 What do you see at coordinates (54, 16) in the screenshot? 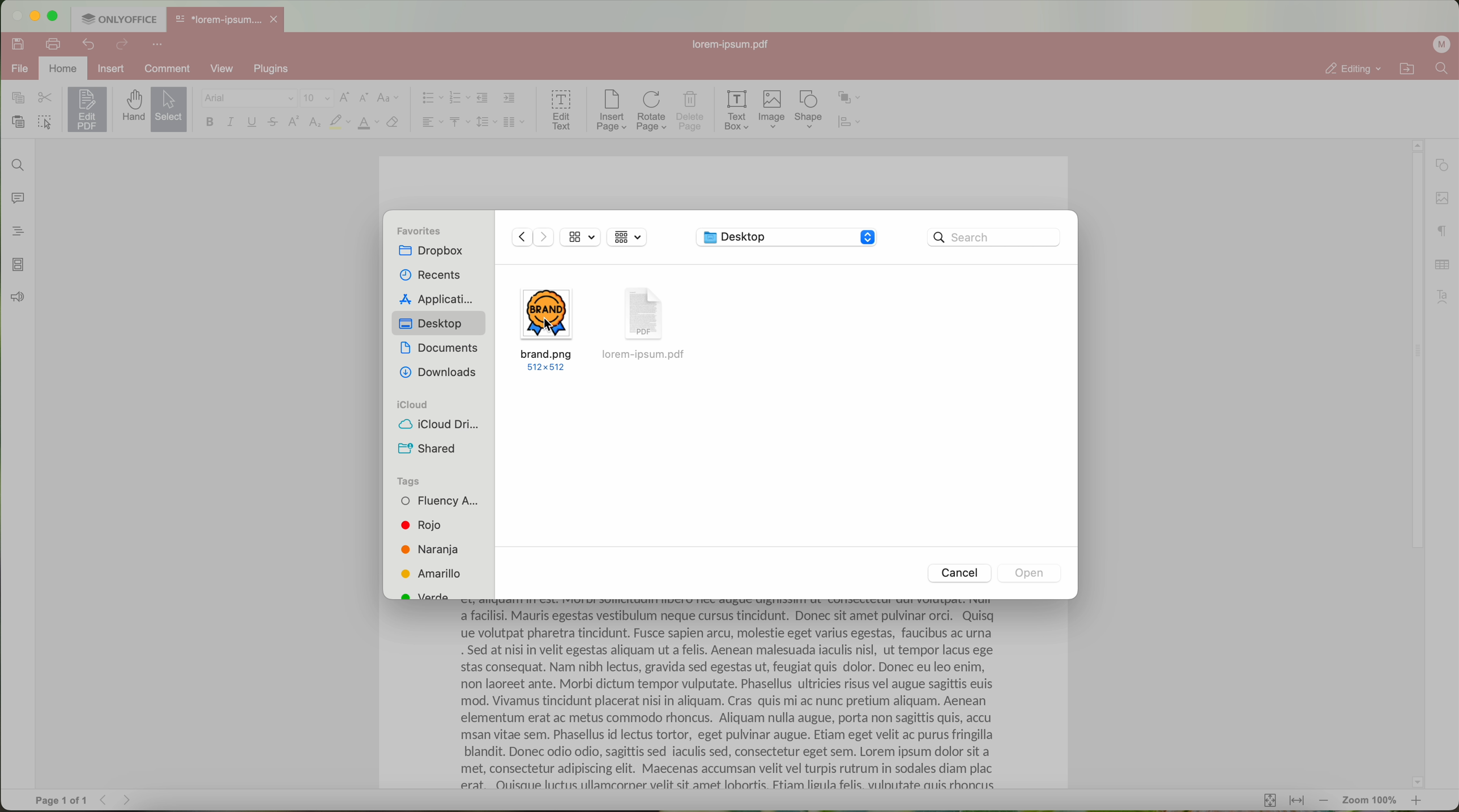
I see `maximize` at bounding box center [54, 16].